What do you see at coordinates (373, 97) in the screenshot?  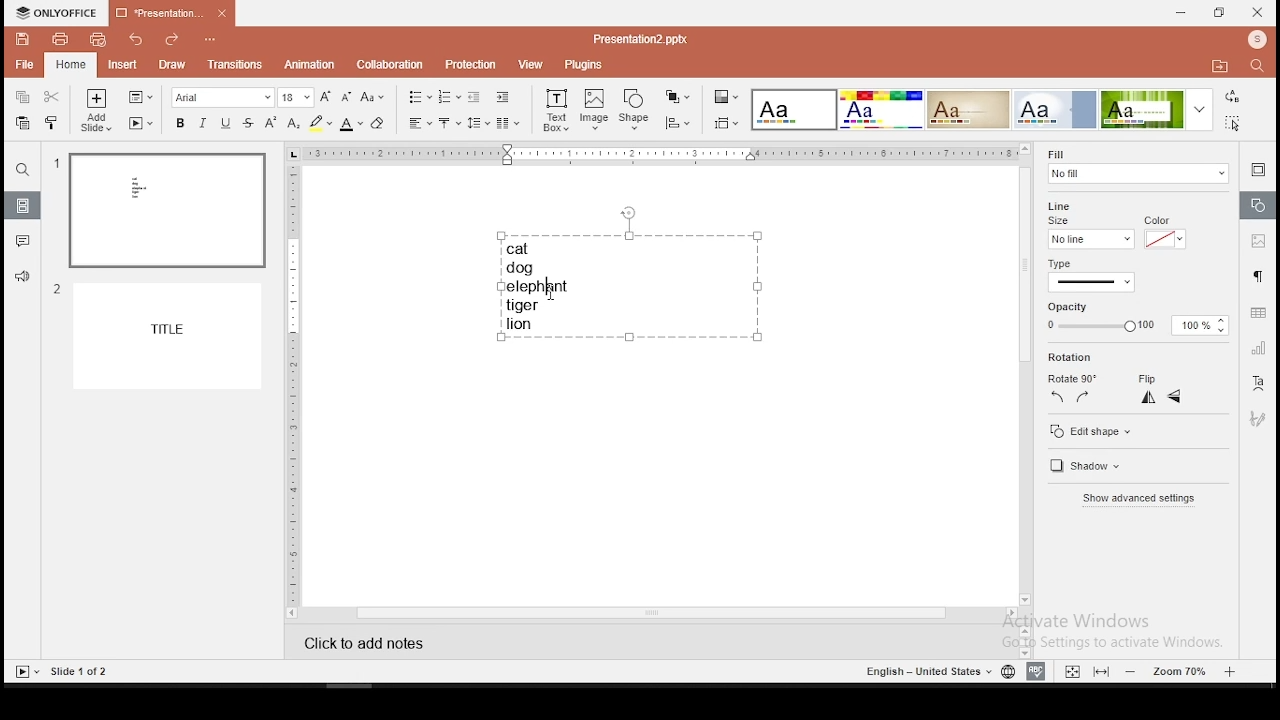 I see `change case` at bounding box center [373, 97].